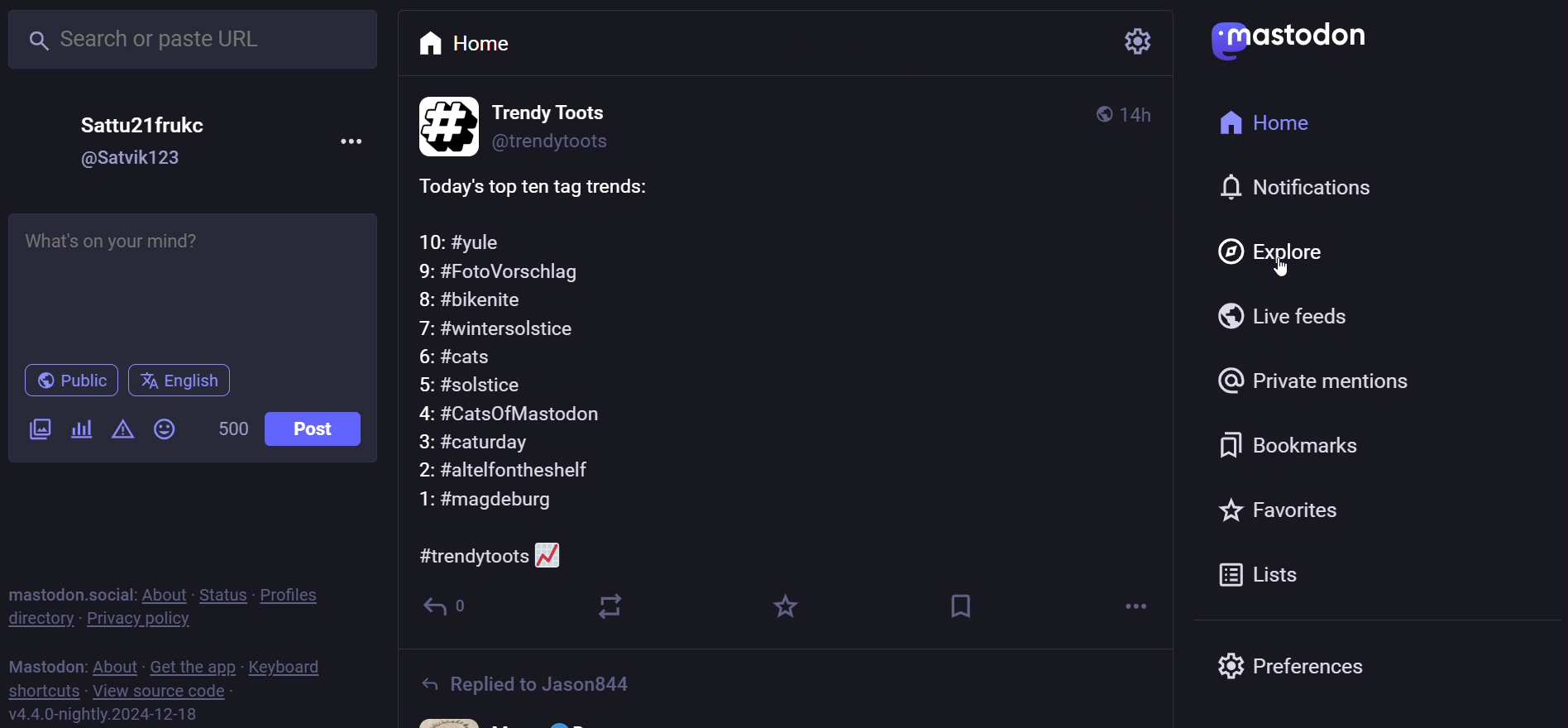  I want to click on 500, so click(232, 430).